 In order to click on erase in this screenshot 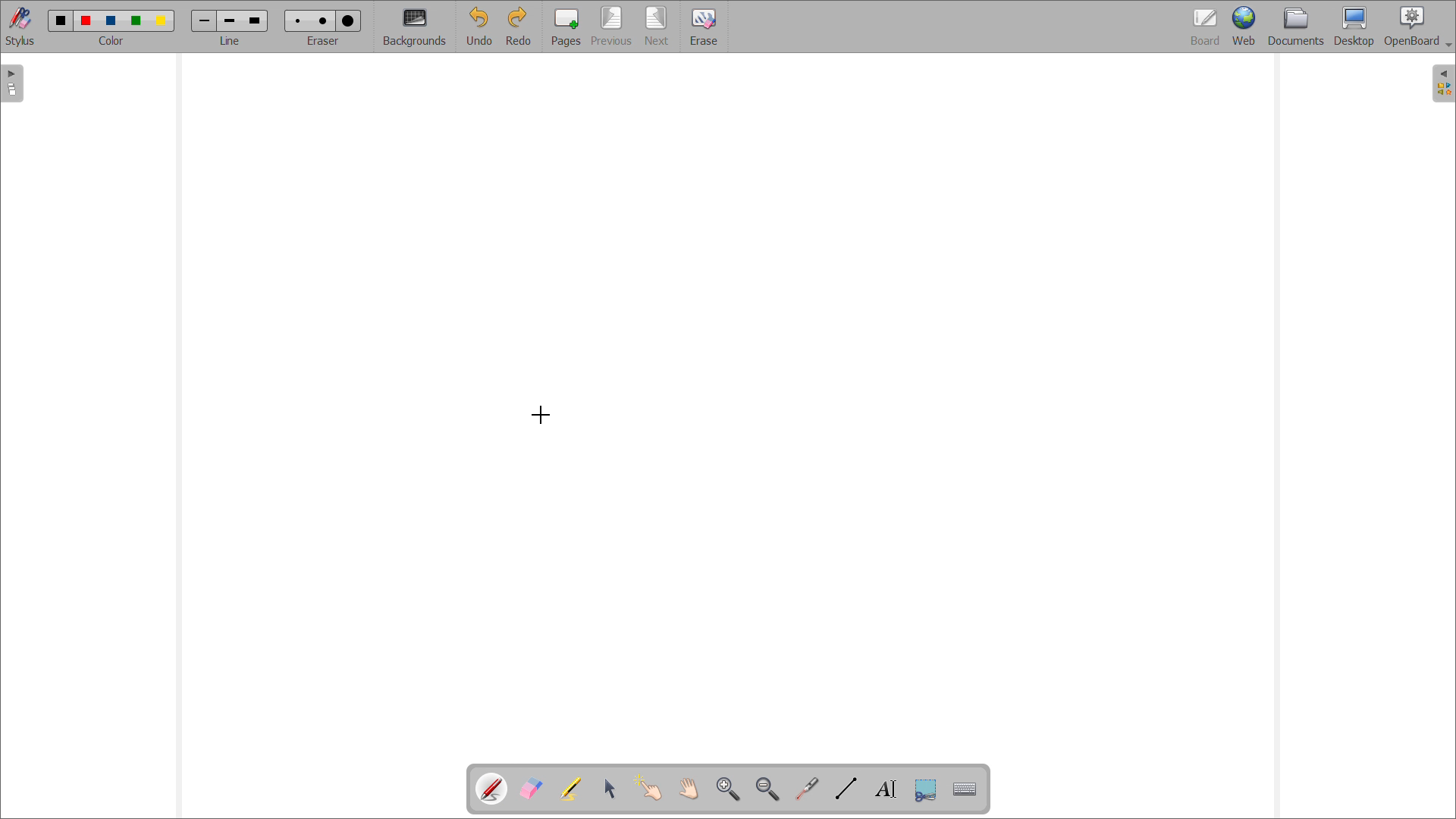, I will do `click(704, 27)`.